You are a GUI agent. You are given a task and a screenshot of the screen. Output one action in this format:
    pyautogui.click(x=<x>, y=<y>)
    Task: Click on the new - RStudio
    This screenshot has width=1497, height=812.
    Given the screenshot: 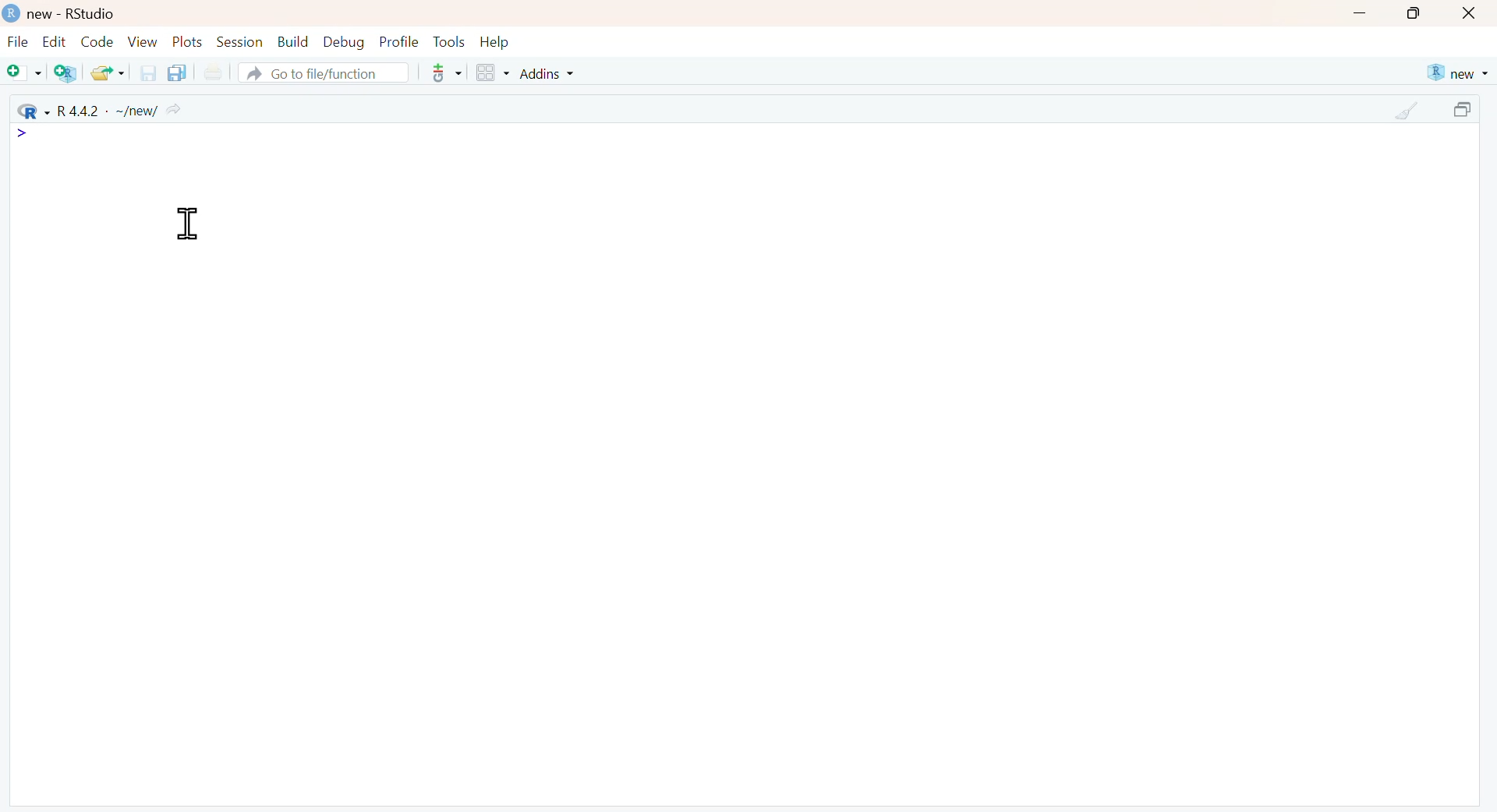 What is the action you would take?
    pyautogui.click(x=75, y=14)
    